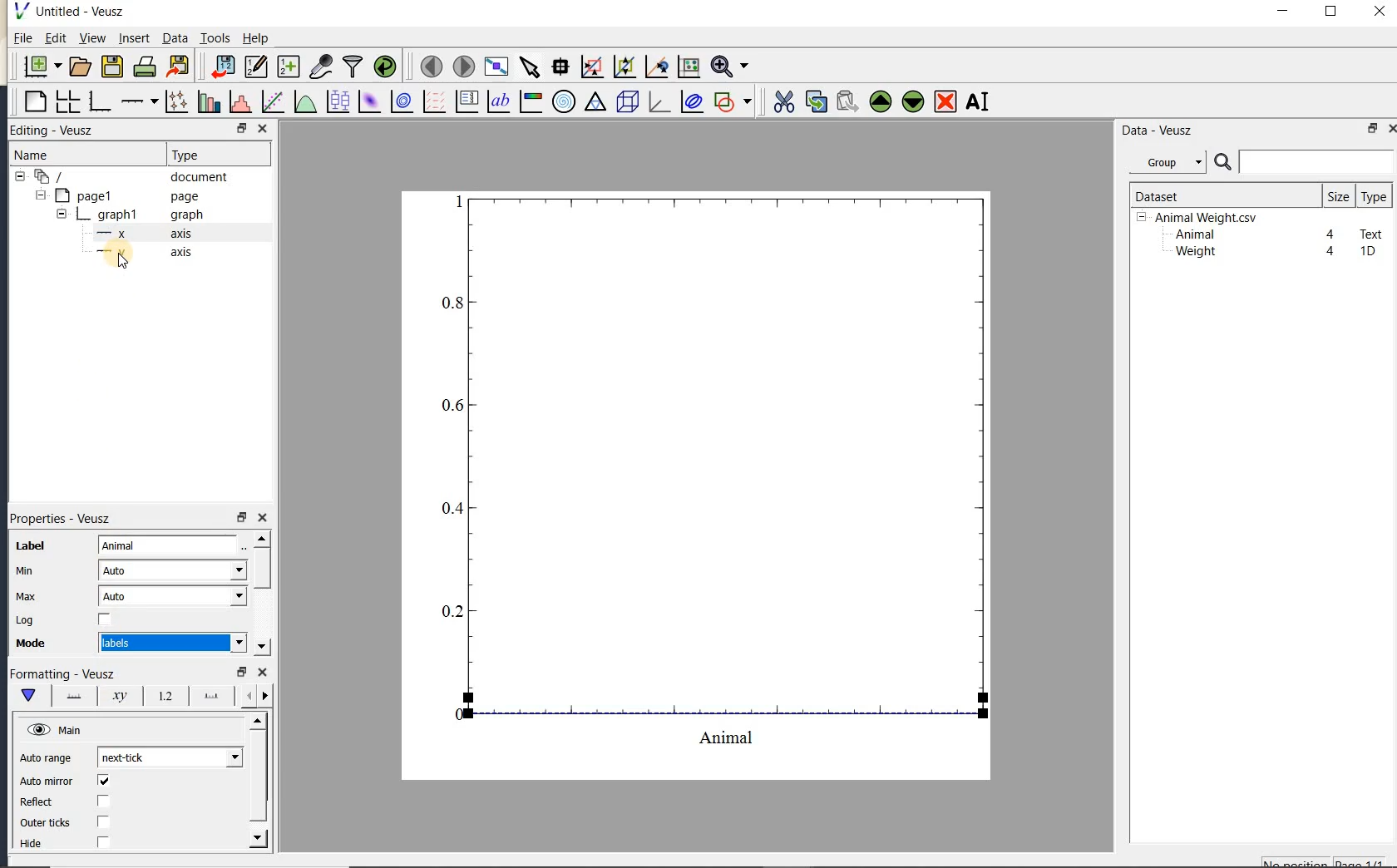 This screenshot has width=1397, height=868. Describe the element at coordinates (170, 757) in the screenshot. I see `next click` at that location.